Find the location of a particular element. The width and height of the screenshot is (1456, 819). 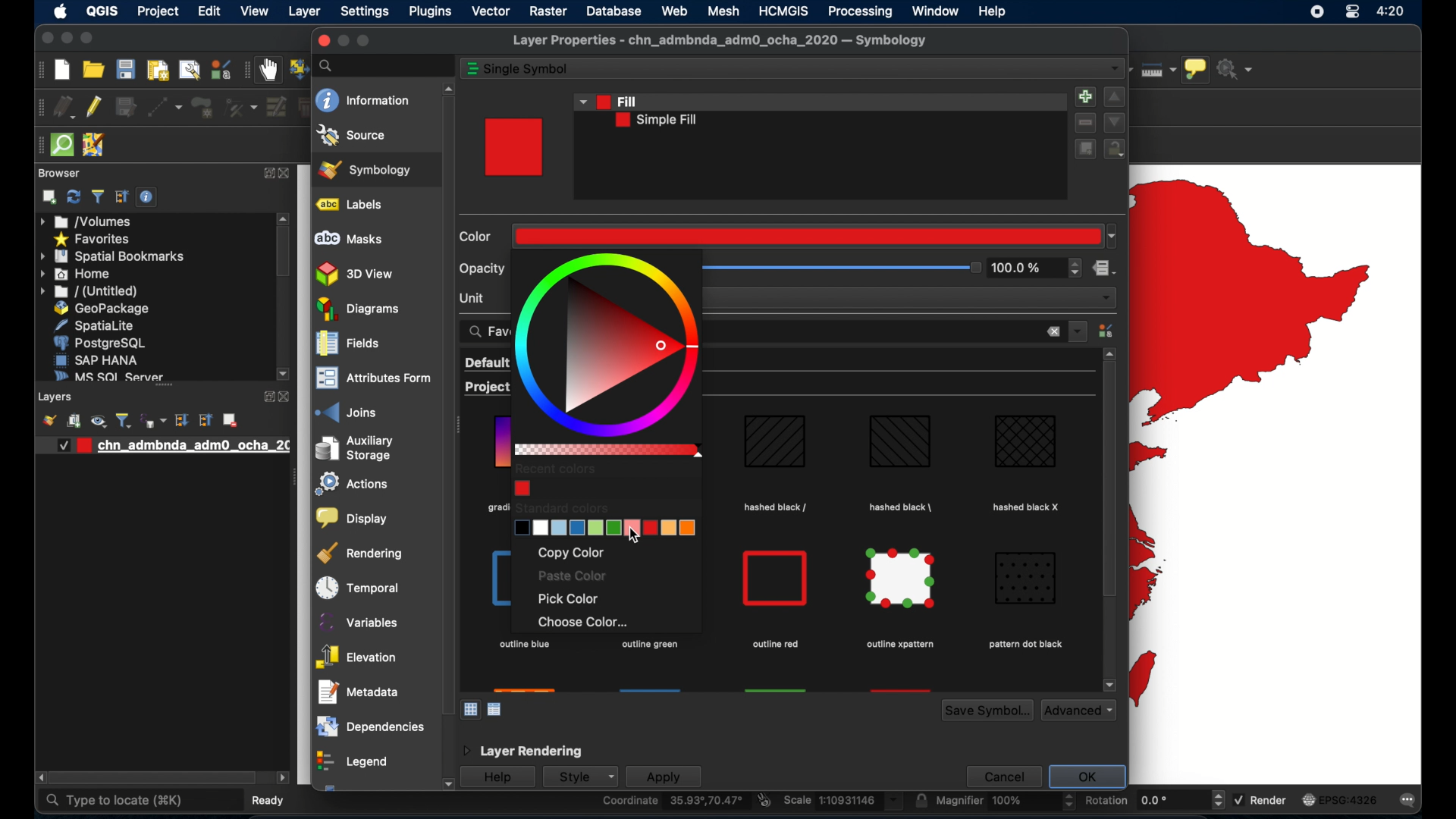

digitizing toolbar is located at coordinates (38, 109).